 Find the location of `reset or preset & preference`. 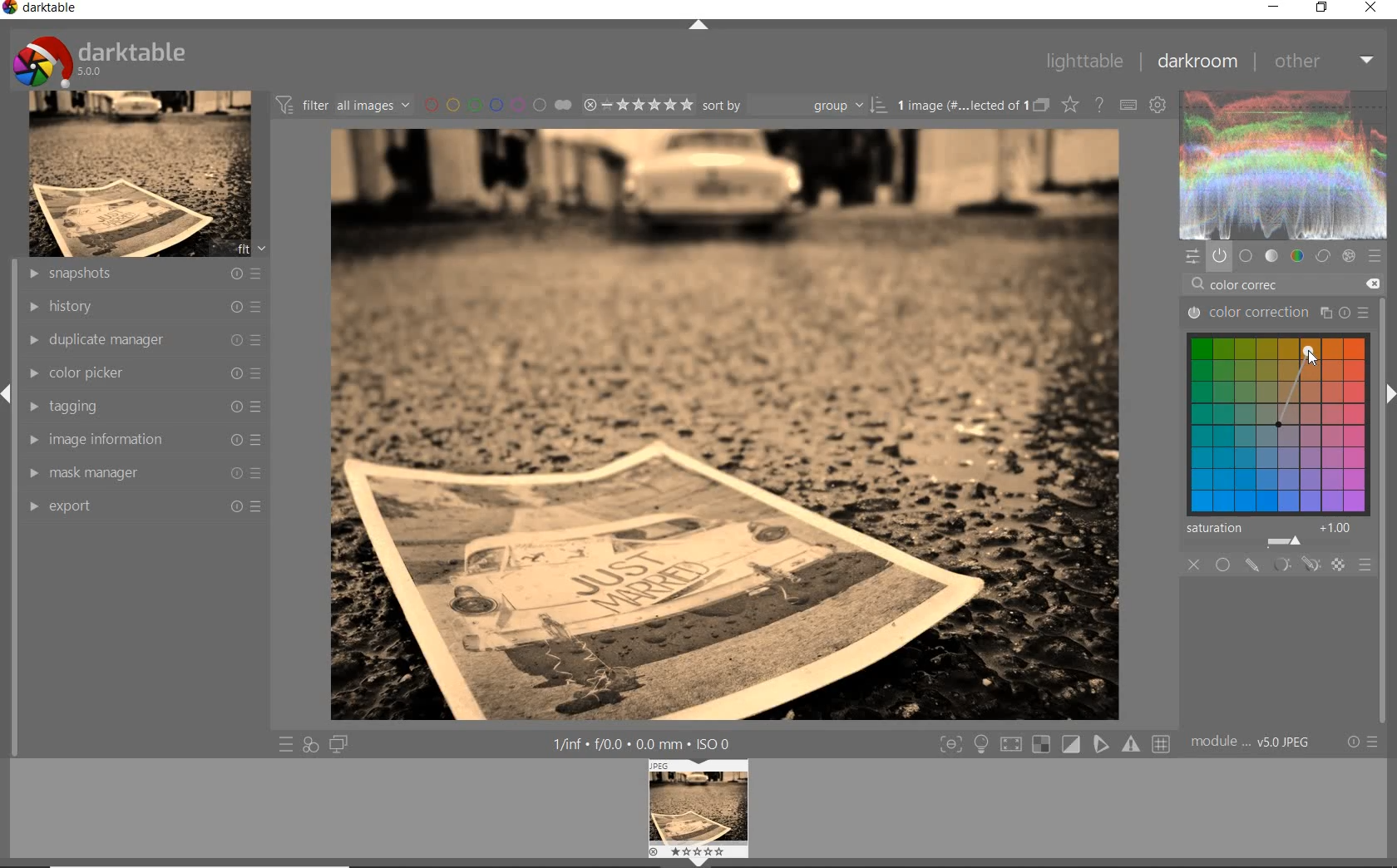

reset or preset & preference is located at coordinates (1358, 744).